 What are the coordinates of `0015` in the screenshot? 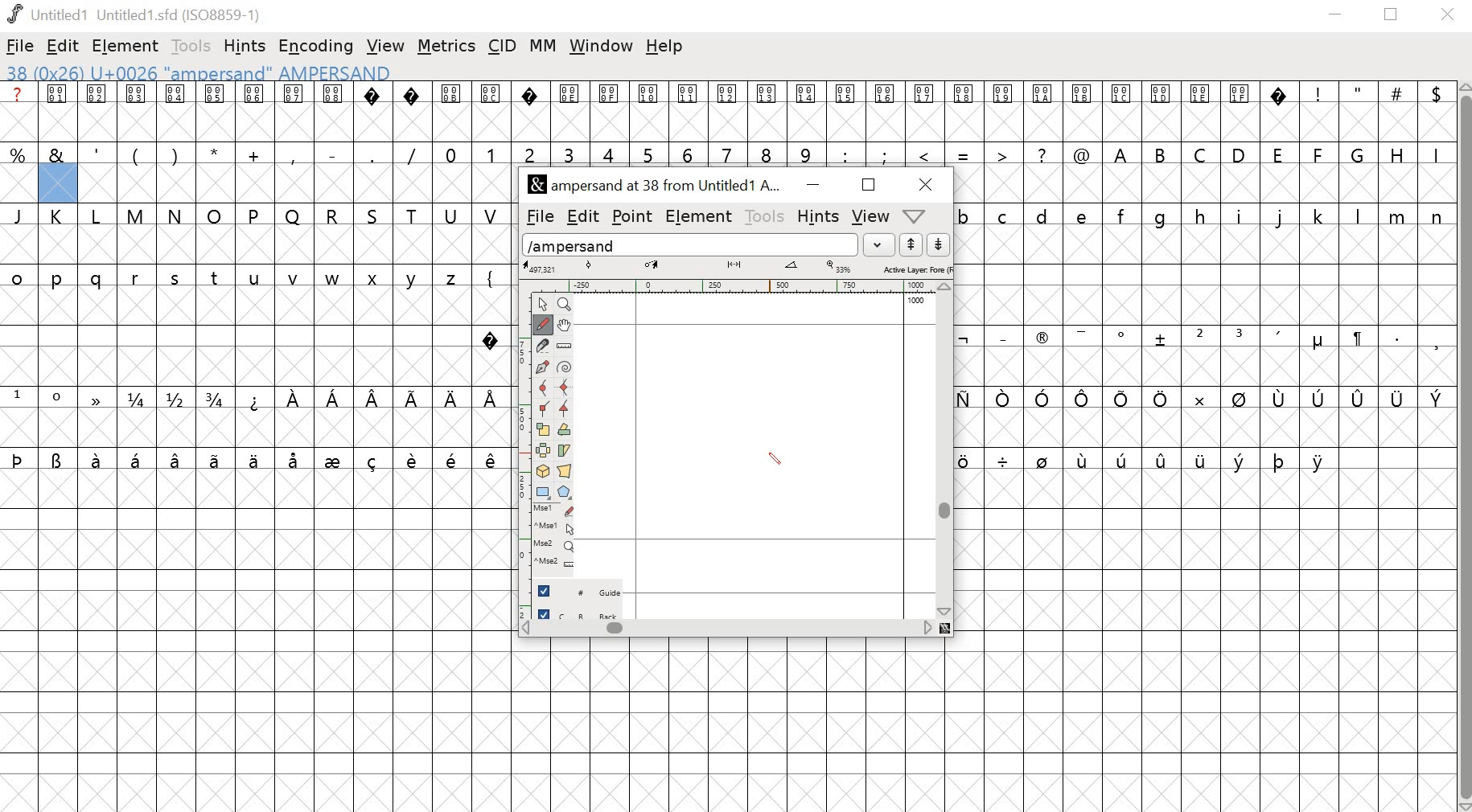 It's located at (846, 113).